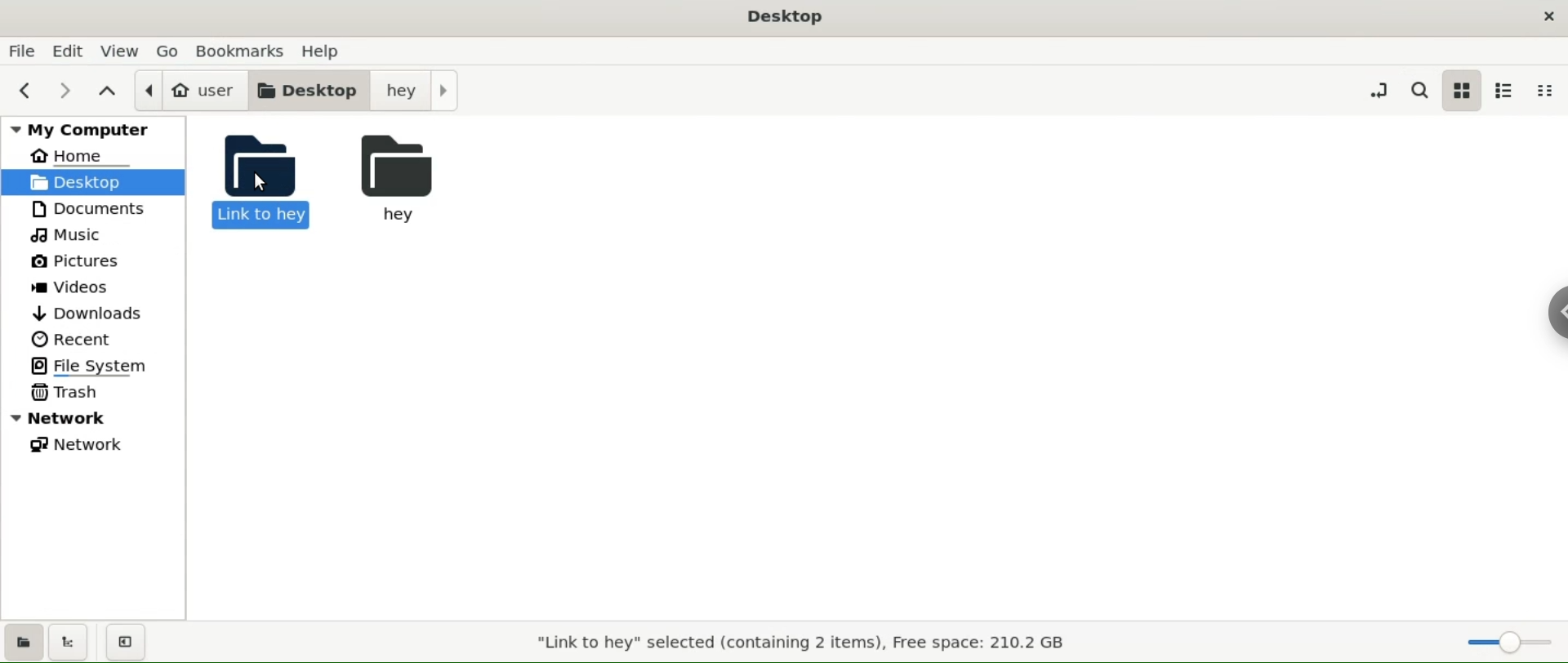 This screenshot has width=1568, height=663. I want to click on close sidebars, so click(131, 643).